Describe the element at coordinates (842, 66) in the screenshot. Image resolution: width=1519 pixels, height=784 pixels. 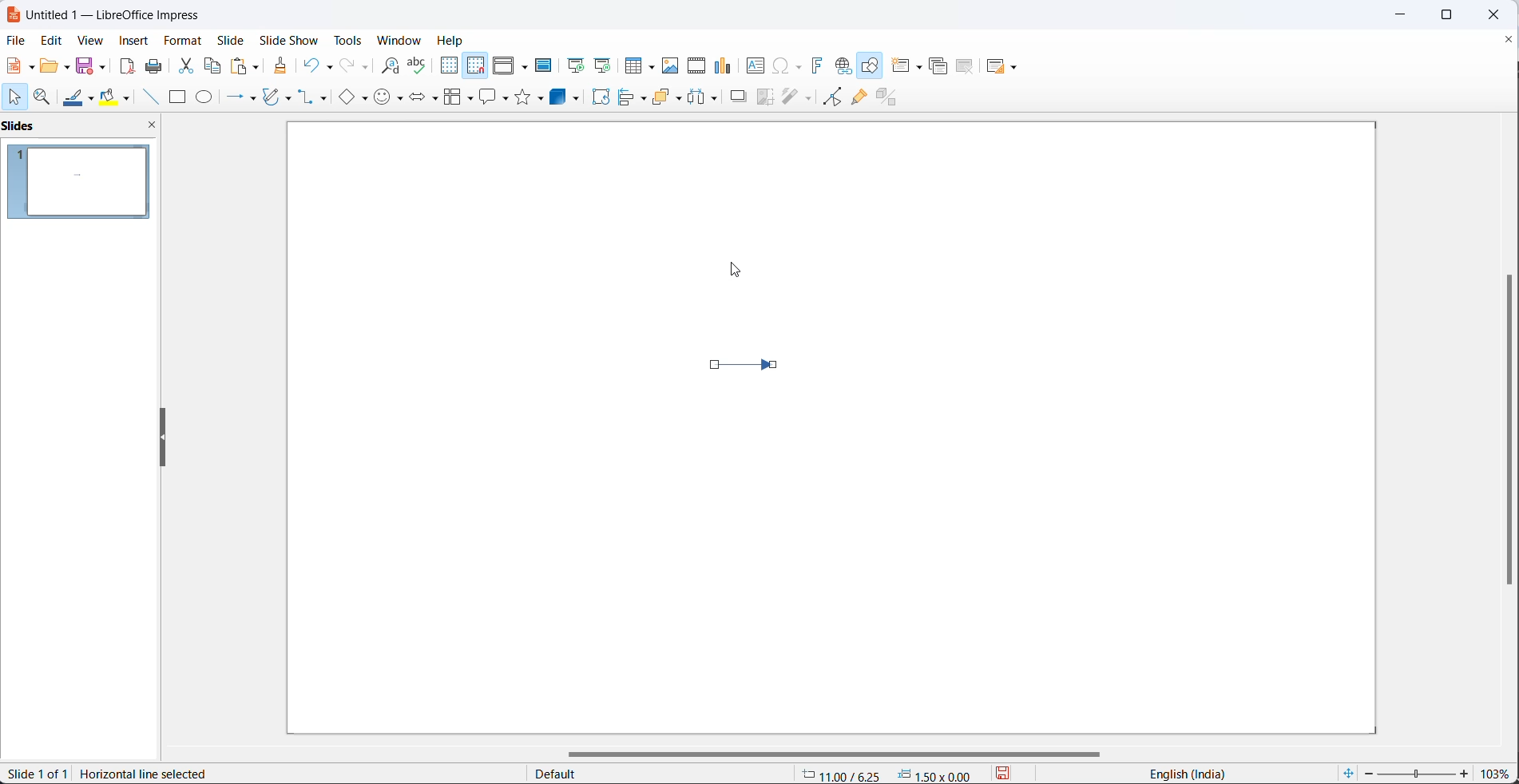
I see `insert hyperlink` at that location.